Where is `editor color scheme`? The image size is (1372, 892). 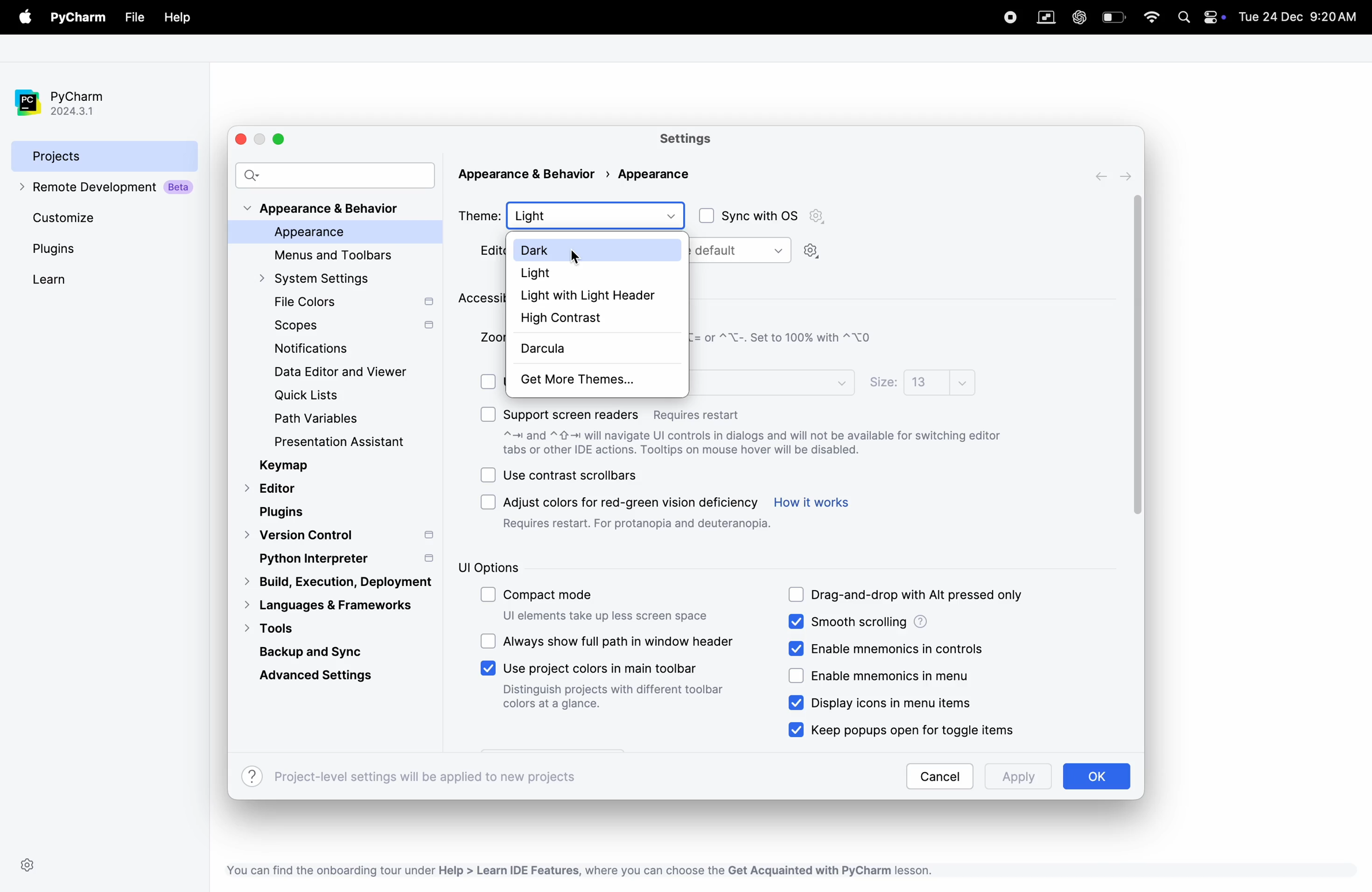 editor color scheme is located at coordinates (485, 251).